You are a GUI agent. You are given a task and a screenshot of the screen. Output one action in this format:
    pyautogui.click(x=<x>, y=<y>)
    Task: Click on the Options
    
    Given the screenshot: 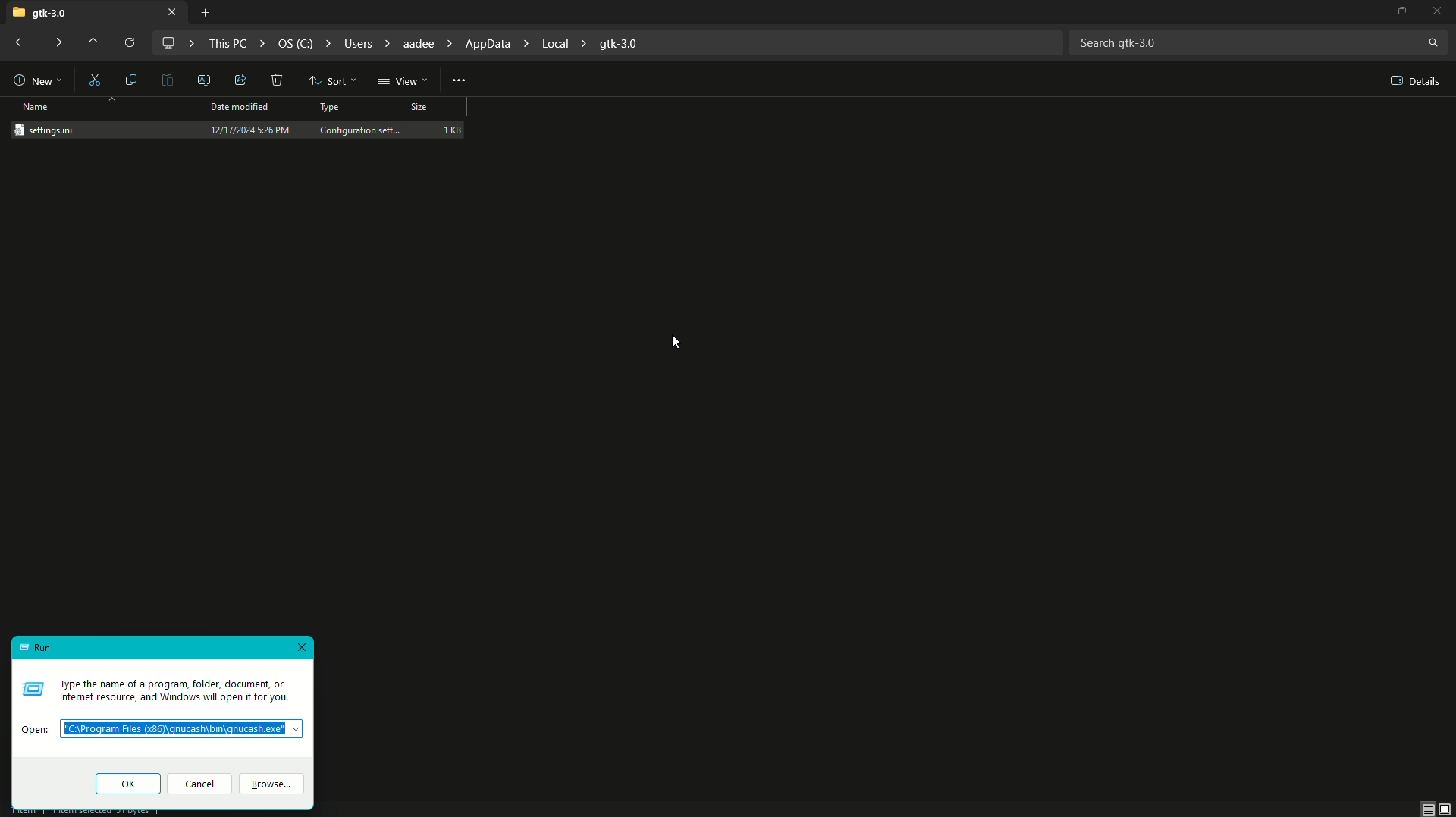 What is the action you would take?
    pyautogui.click(x=1404, y=11)
    